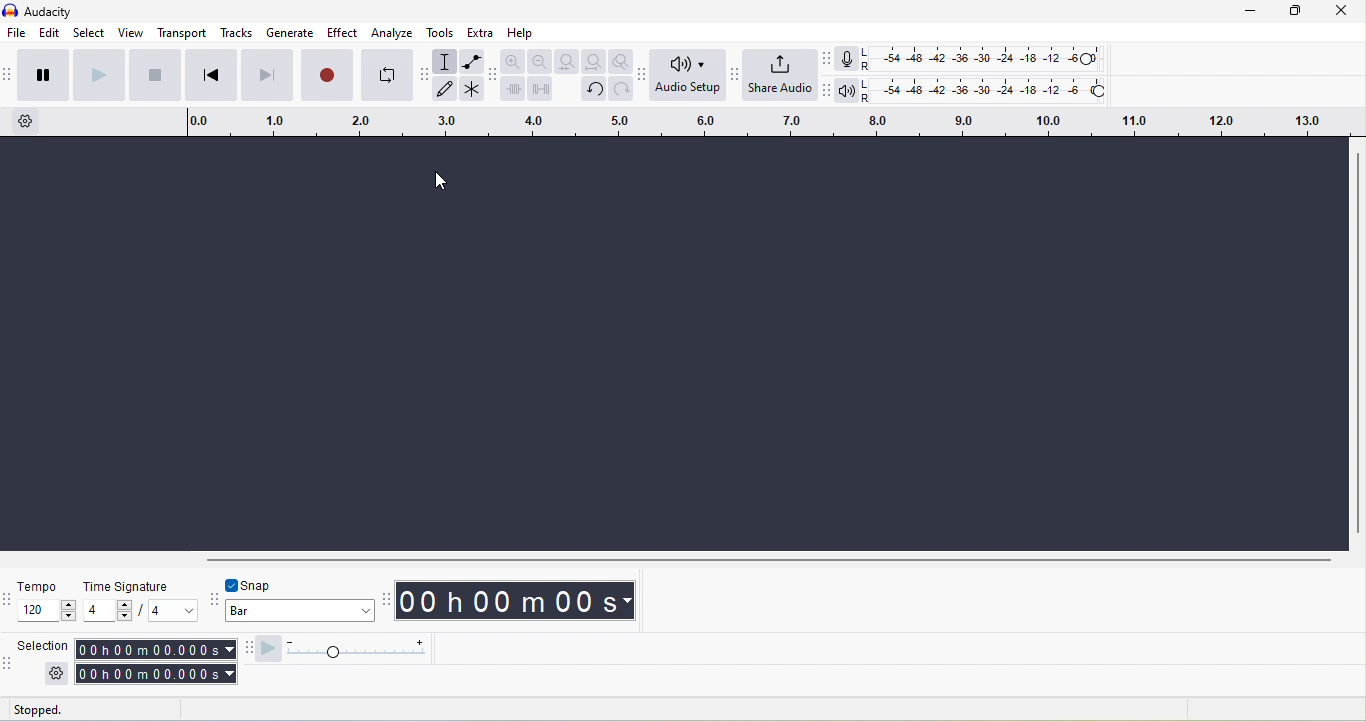 Image resolution: width=1366 pixels, height=722 pixels. What do you see at coordinates (1342, 12) in the screenshot?
I see `close` at bounding box center [1342, 12].